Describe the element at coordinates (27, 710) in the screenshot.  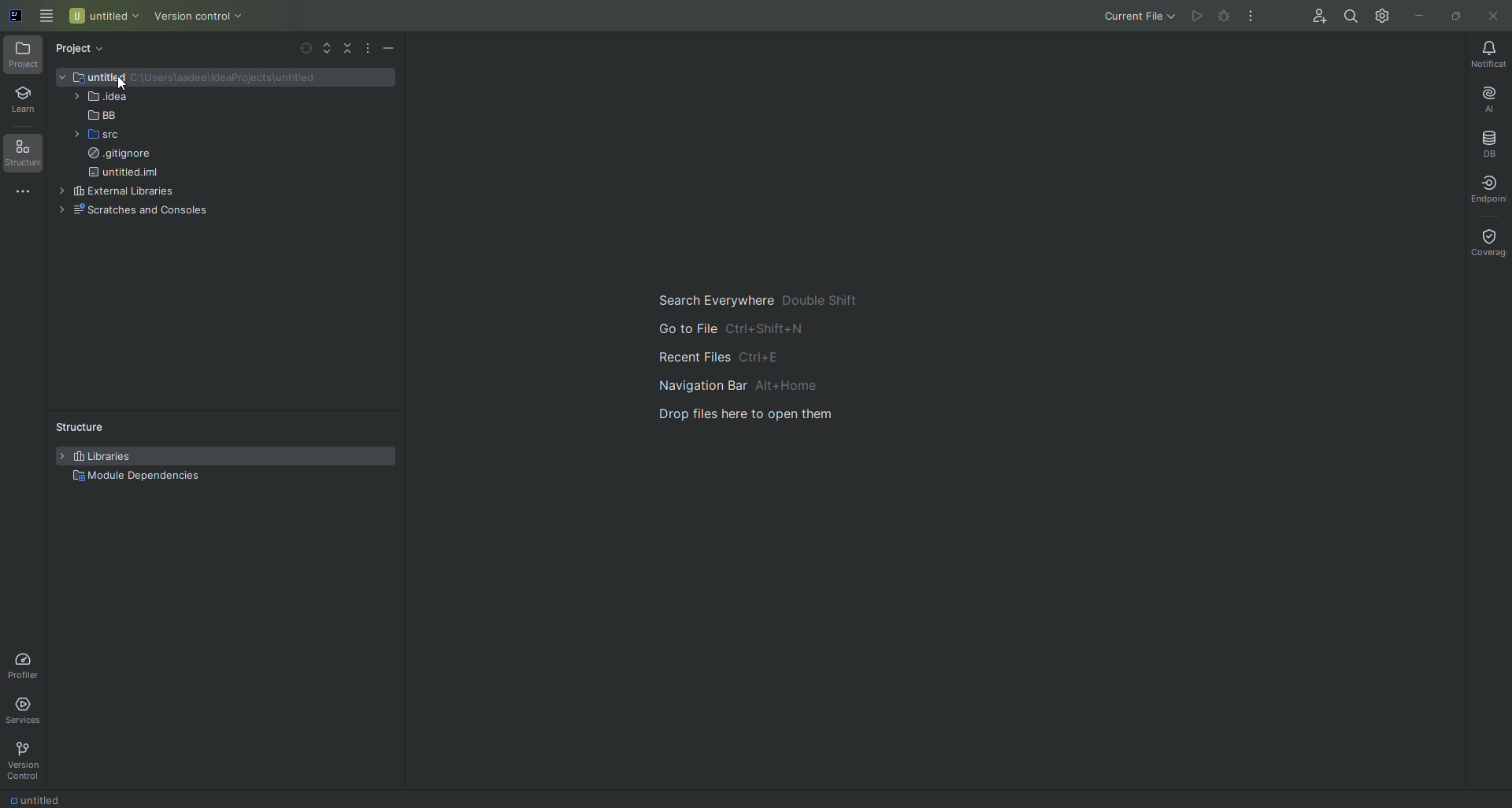
I see `Services` at that location.